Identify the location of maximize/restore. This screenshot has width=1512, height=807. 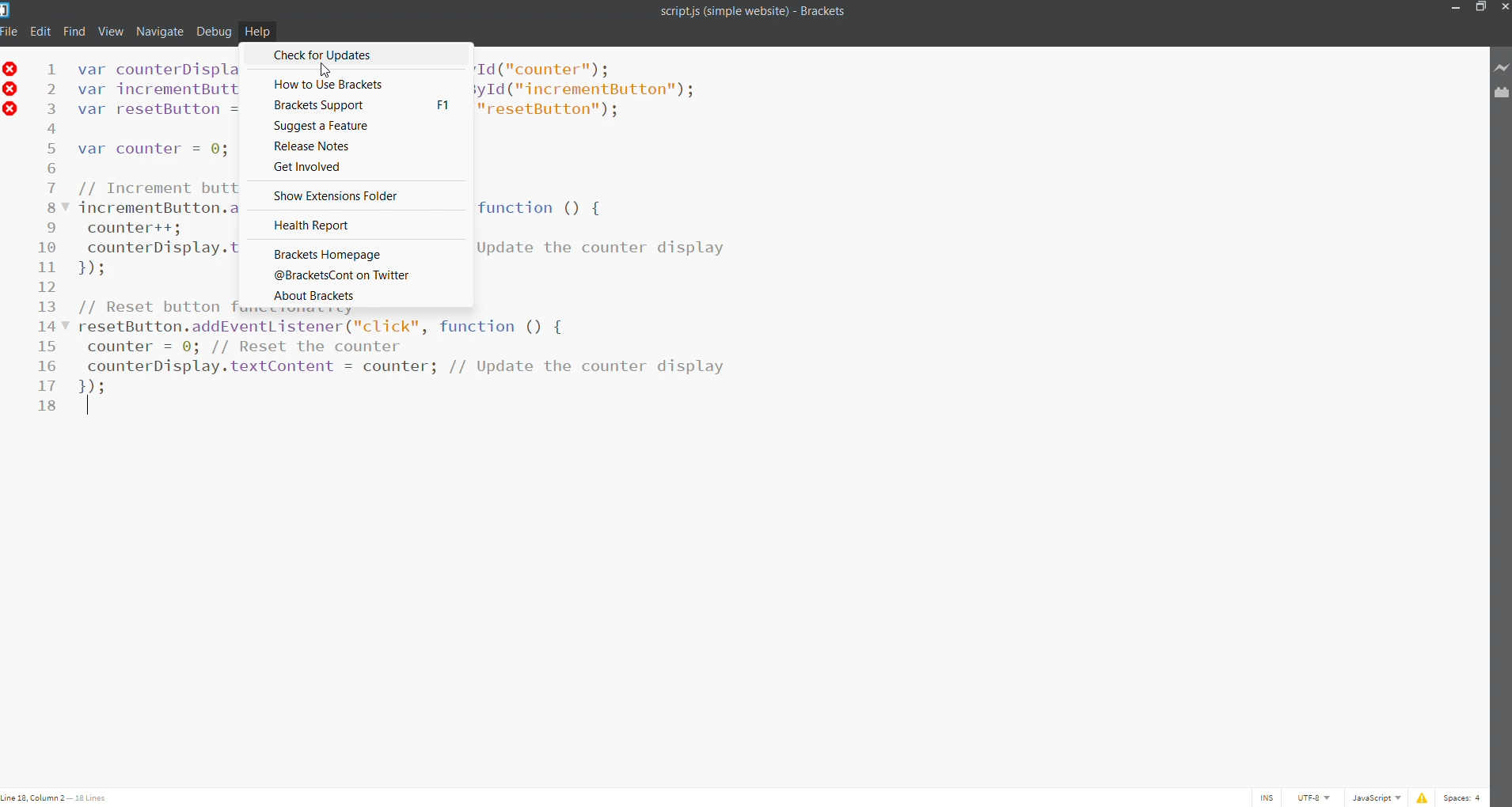
(1479, 9).